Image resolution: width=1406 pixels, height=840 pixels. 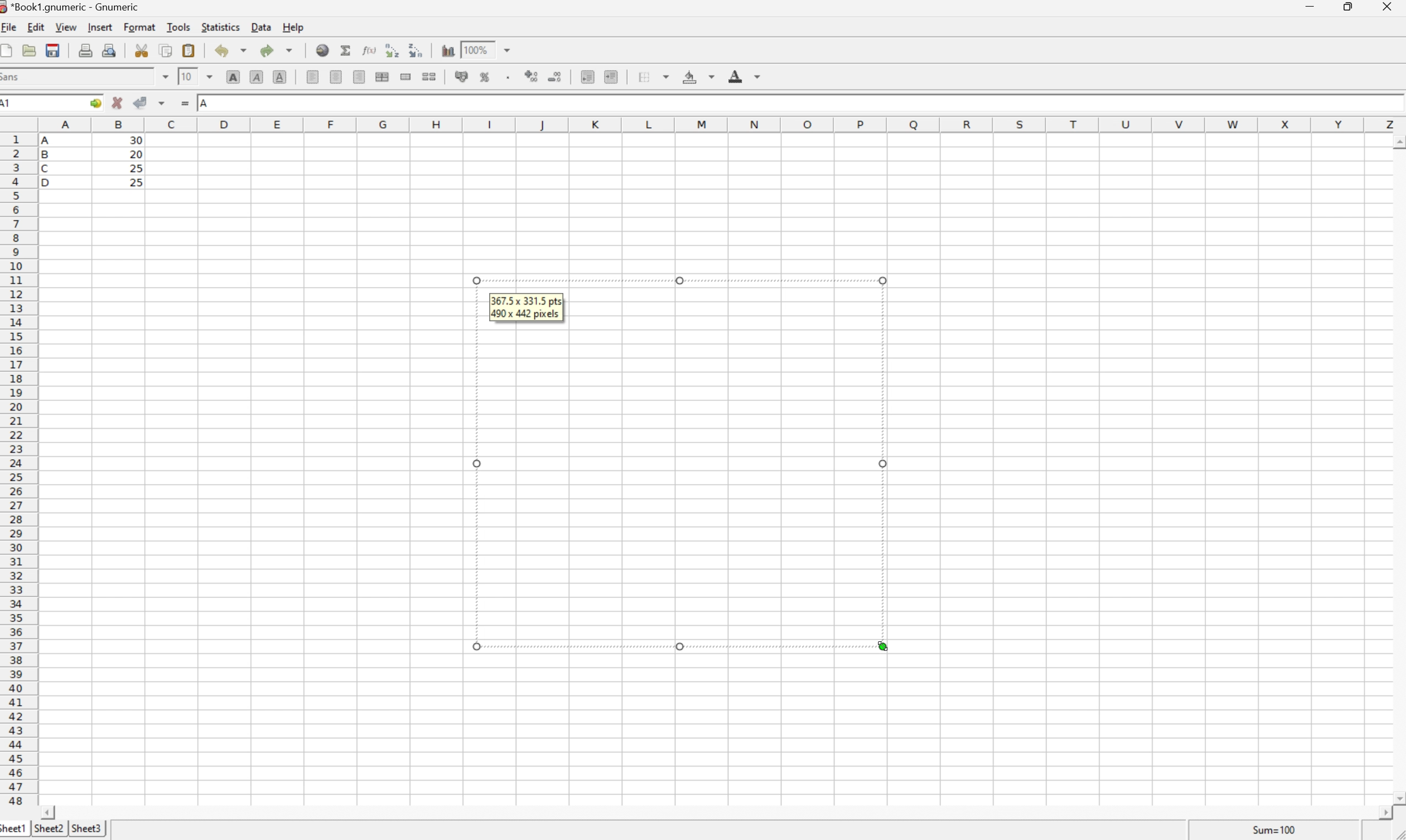 I want to click on Sheet2, so click(x=49, y=829).